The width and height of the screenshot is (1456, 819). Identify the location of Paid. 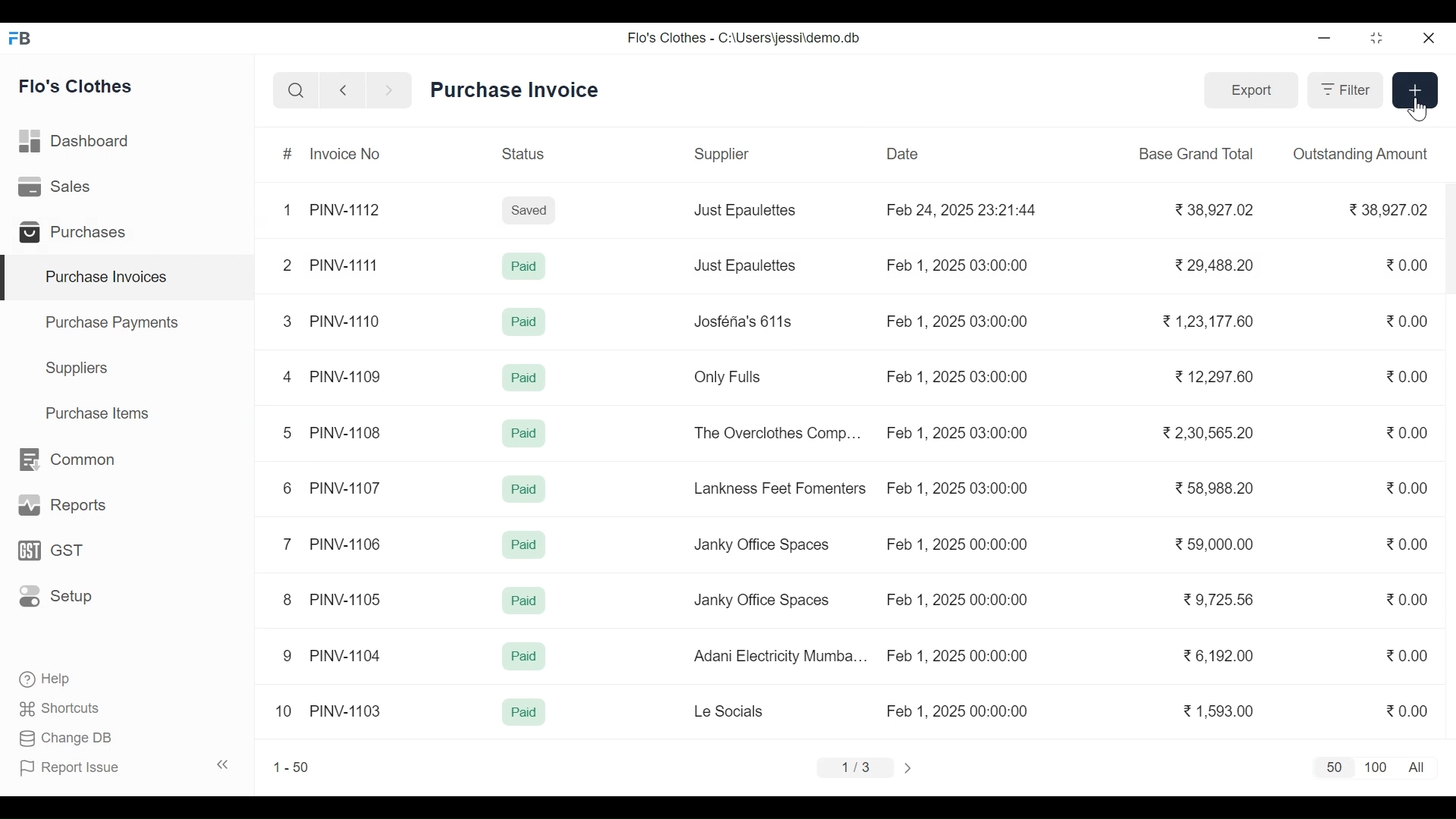
(525, 435).